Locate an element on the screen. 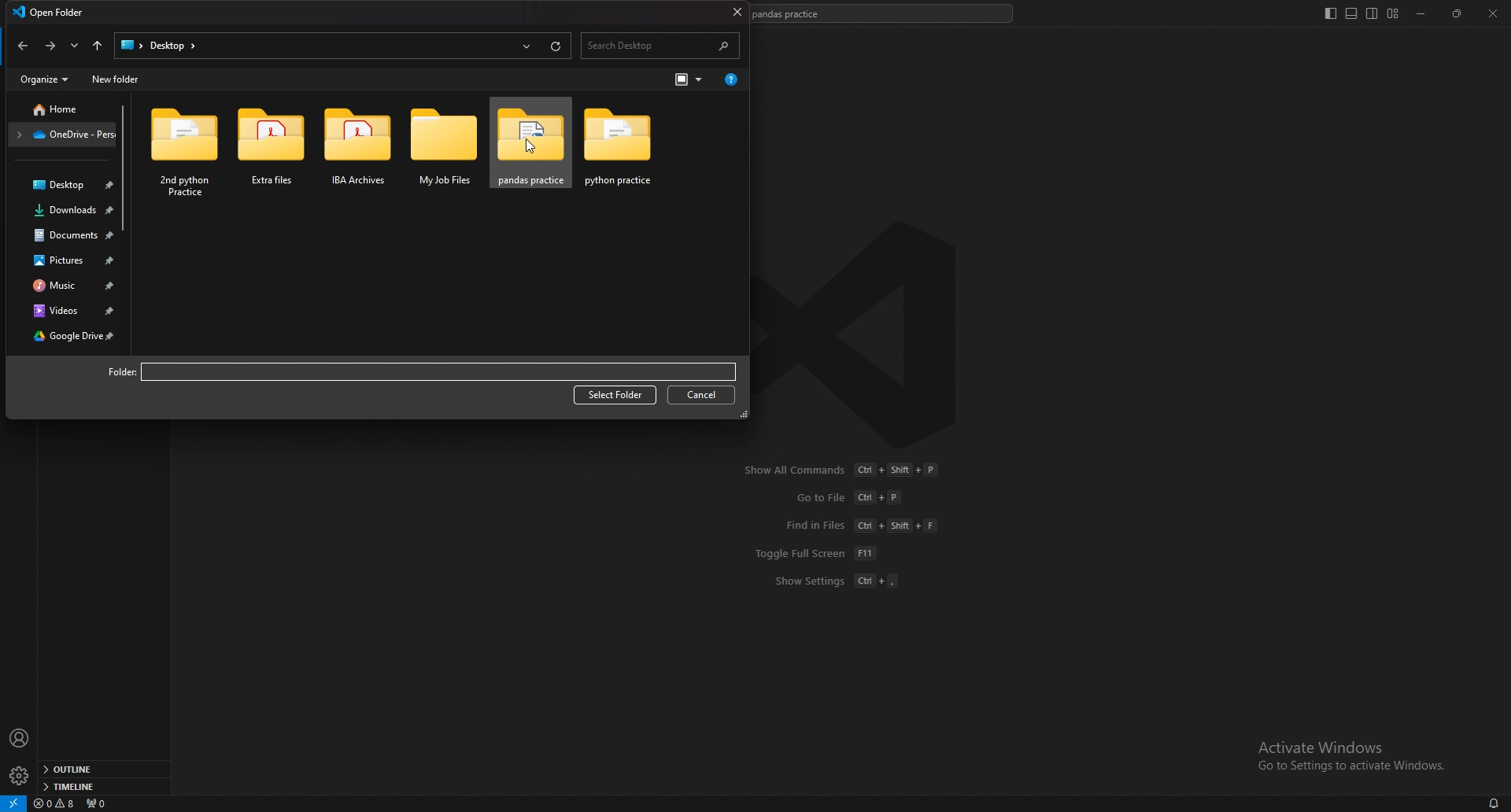  downloads folder is located at coordinates (66, 209).